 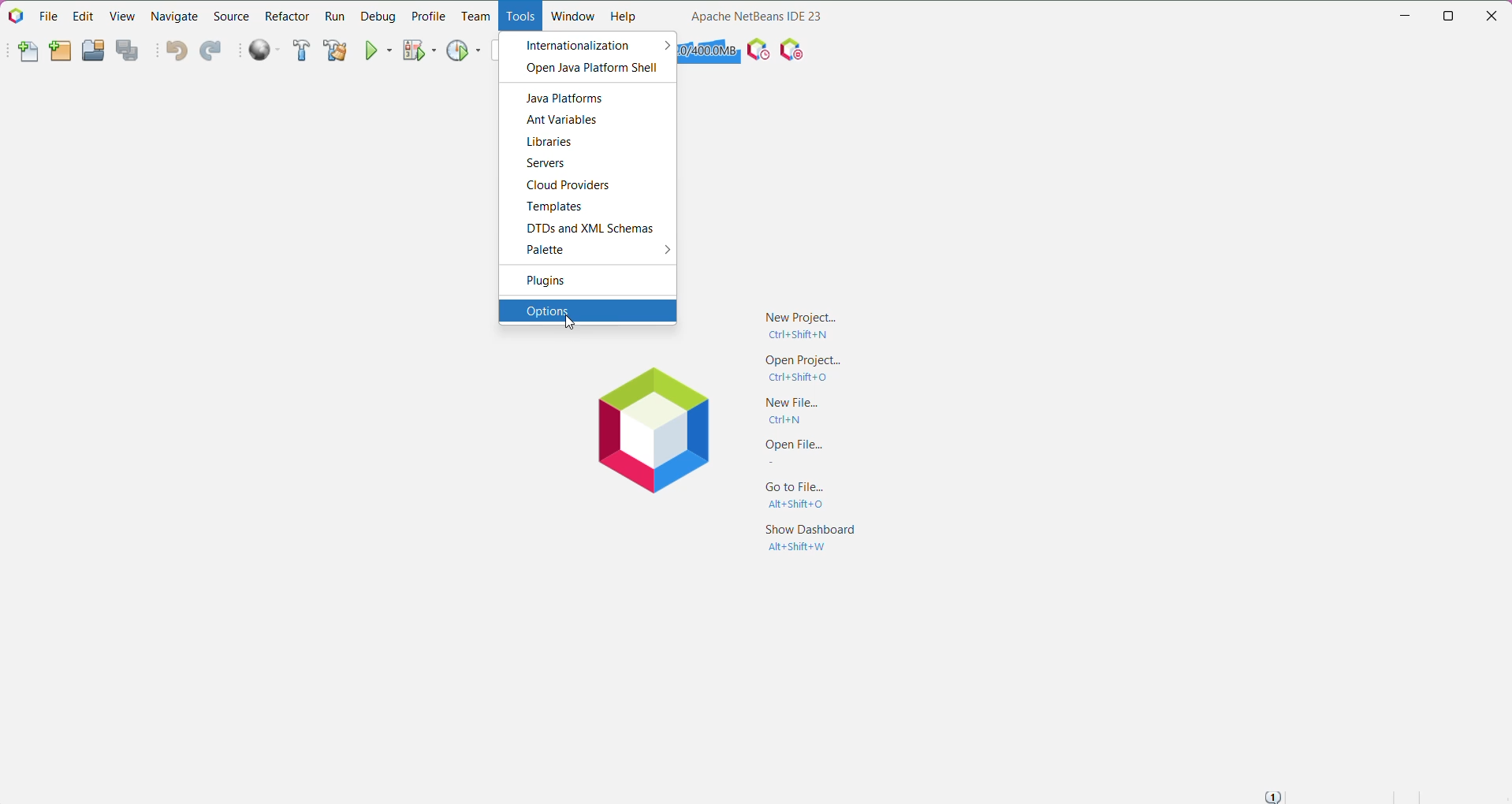 I want to click on Close, so click(x=1495, y=13).